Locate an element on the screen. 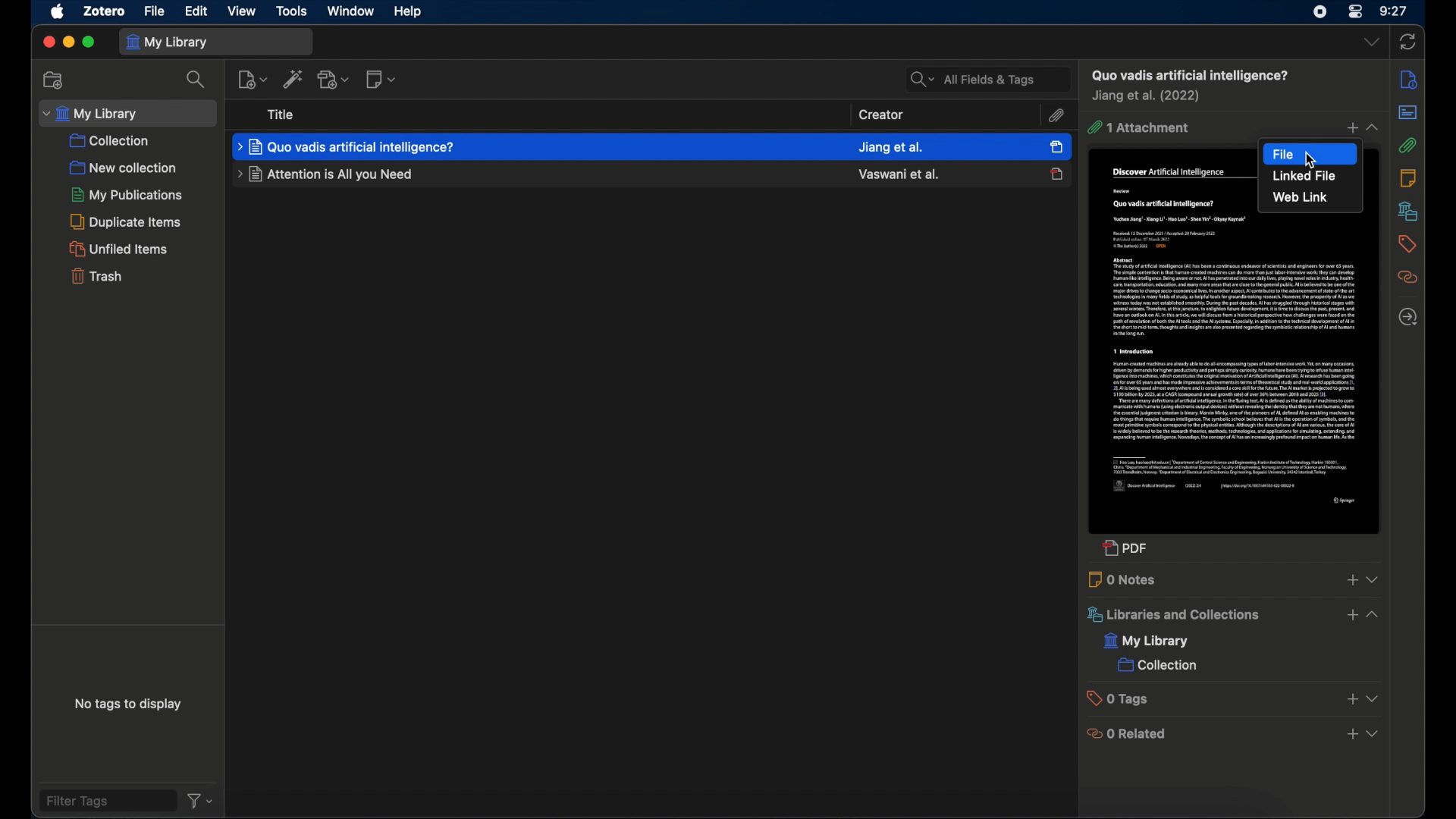  dropdown menu opened is located at coordinates (1376, 614).